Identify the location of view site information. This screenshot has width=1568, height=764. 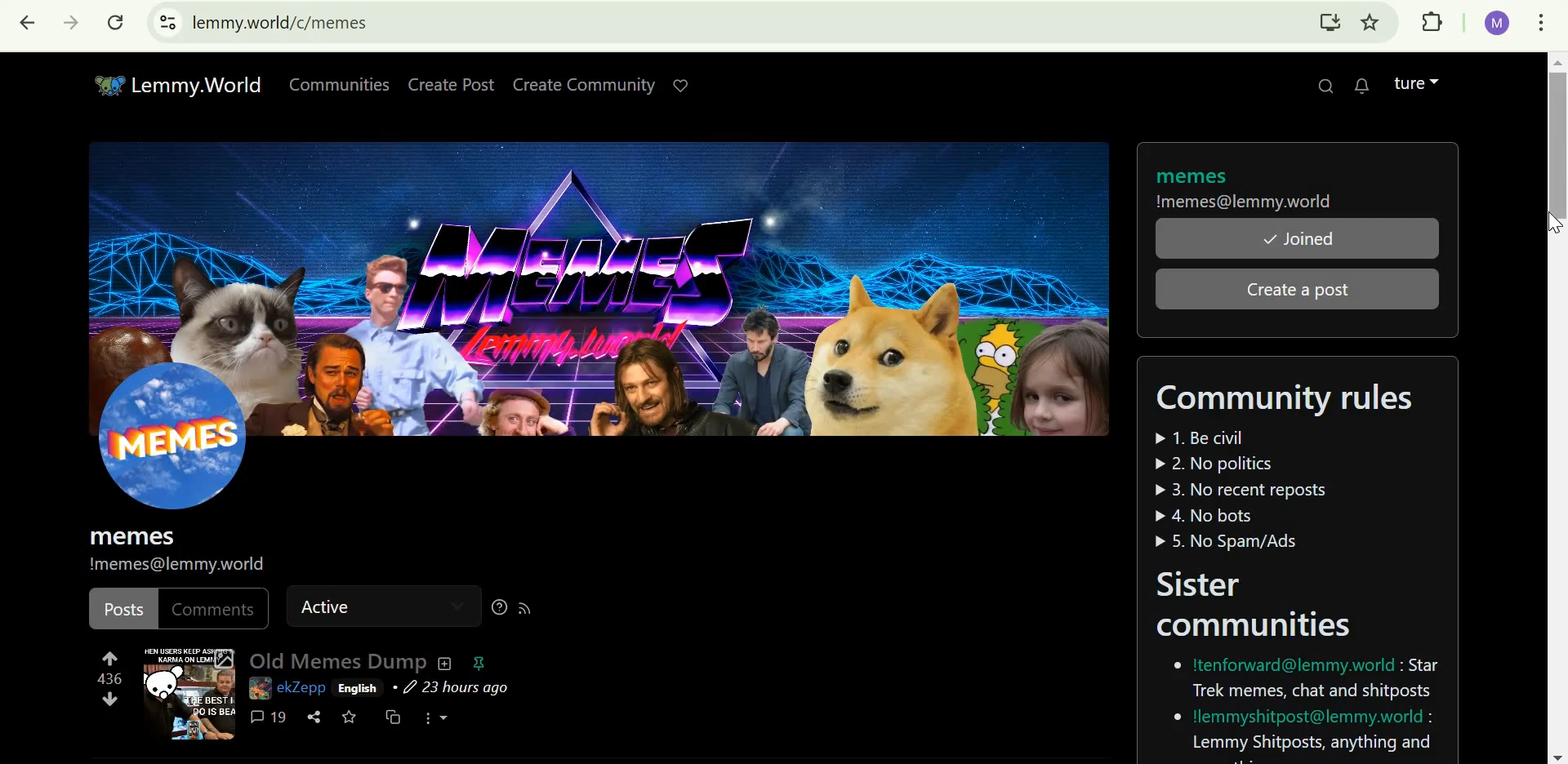
(166, 24).